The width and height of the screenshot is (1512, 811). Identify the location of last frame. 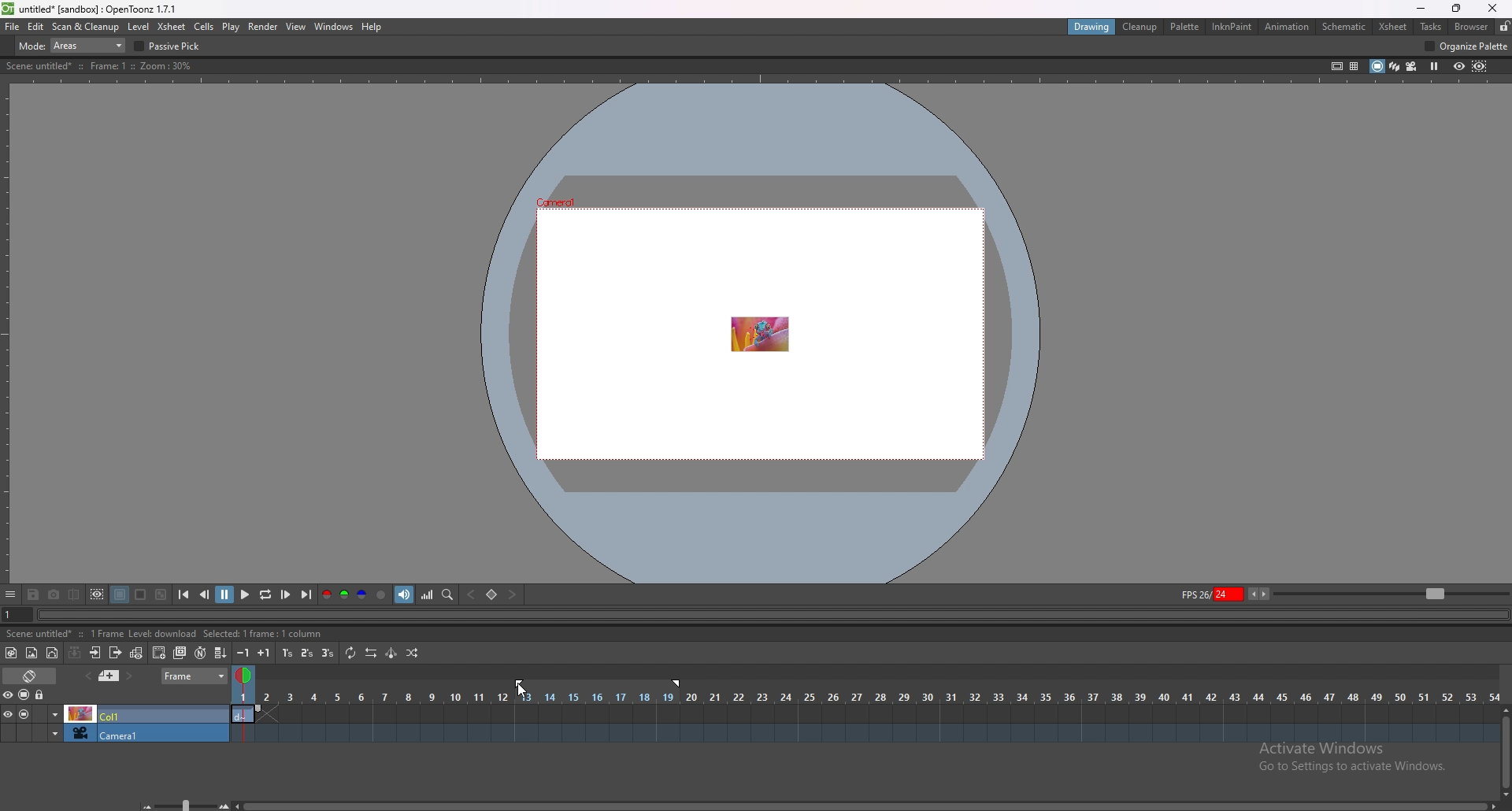
(306, 594).